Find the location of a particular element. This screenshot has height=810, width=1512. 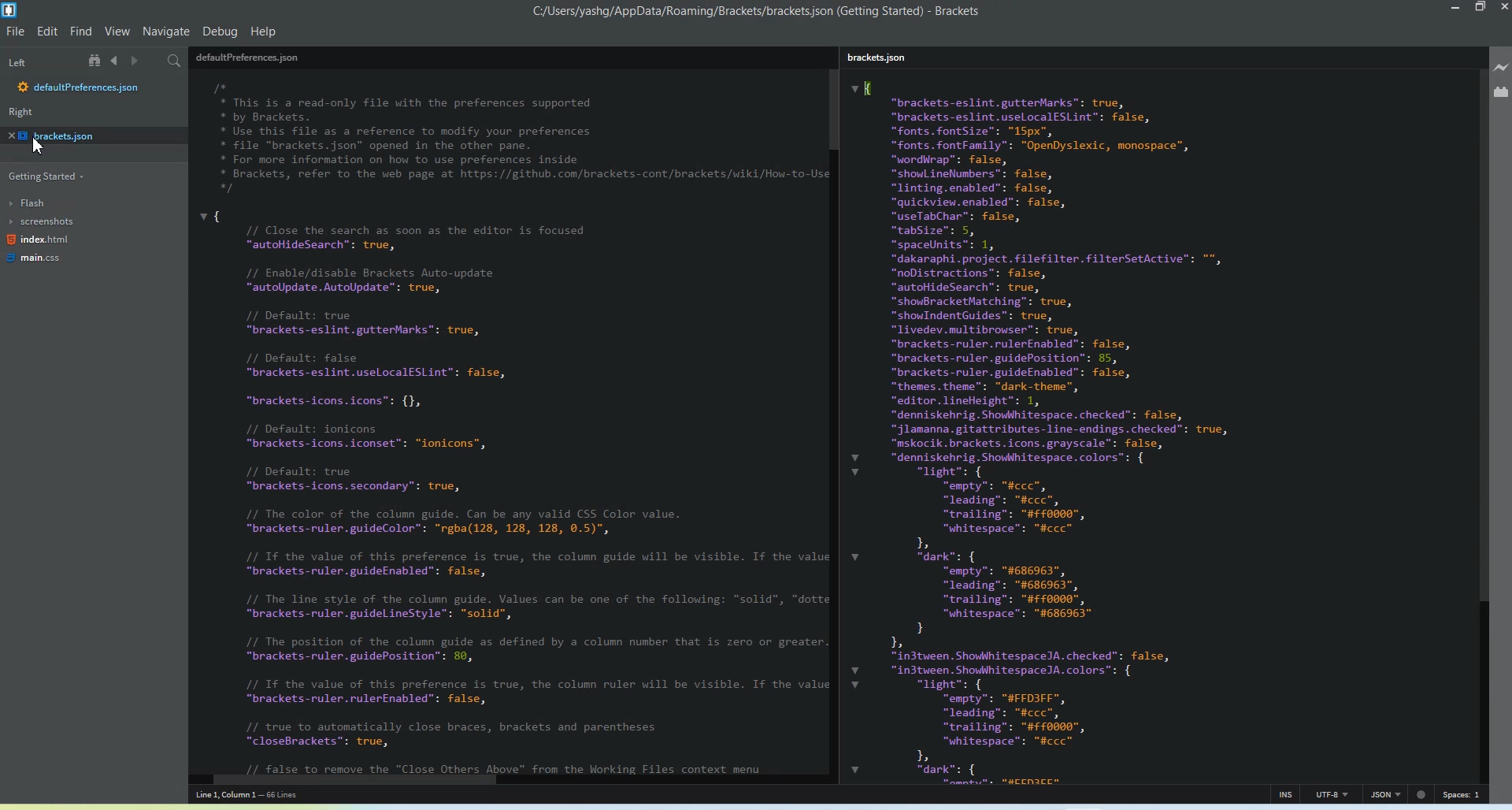

Extension Manager is located at coordinates (1500, 91).